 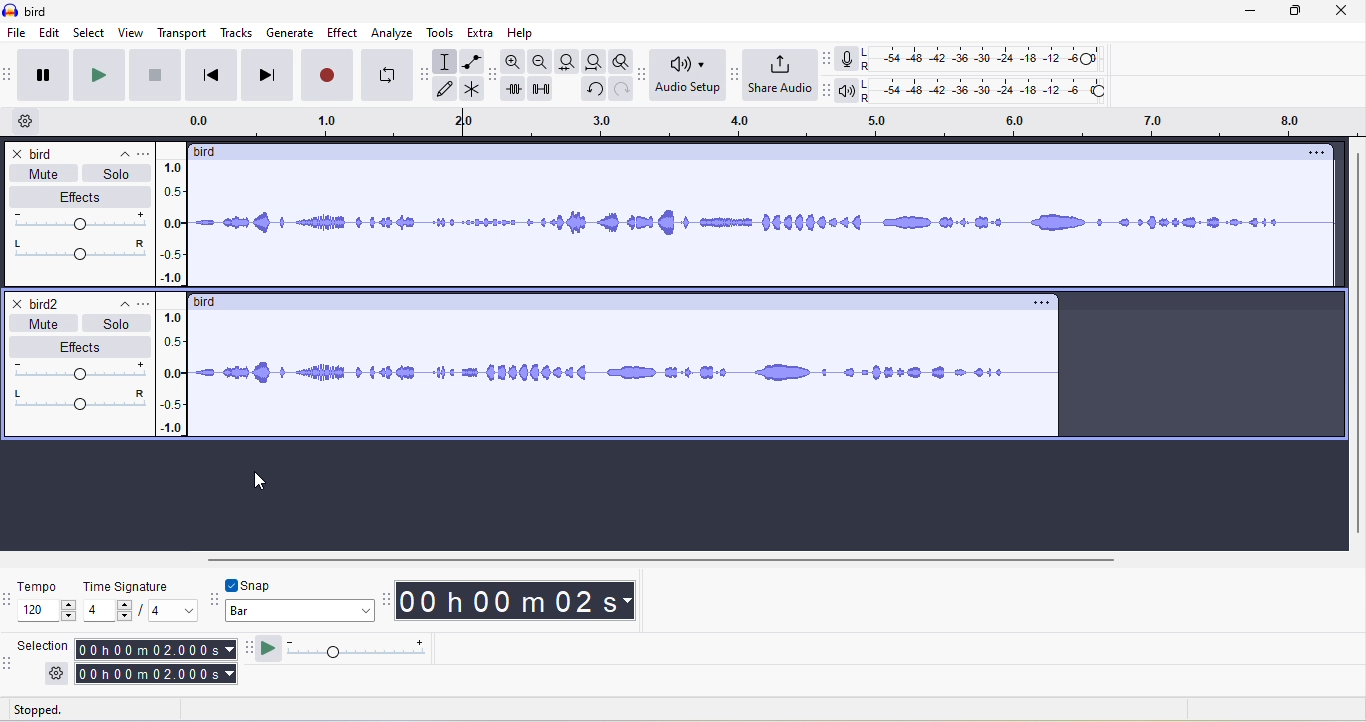 What do you see at coordinates (28, 123) in the screenshot?
I see `timeline options` at bounding box center [28, 123].